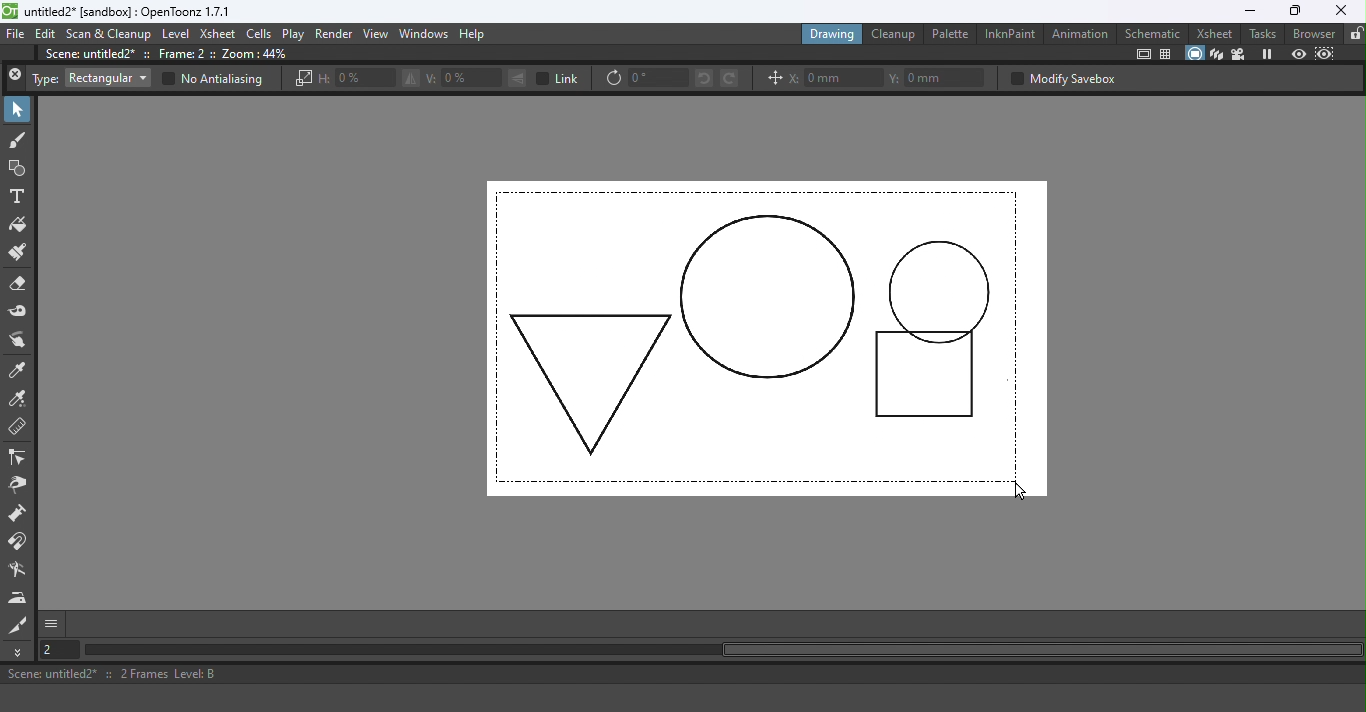 The width and height of the screenshot is (1366, 712). Describe the element at coordinates (1294, 10) in the screenshot. I see `Maximize` at that location.